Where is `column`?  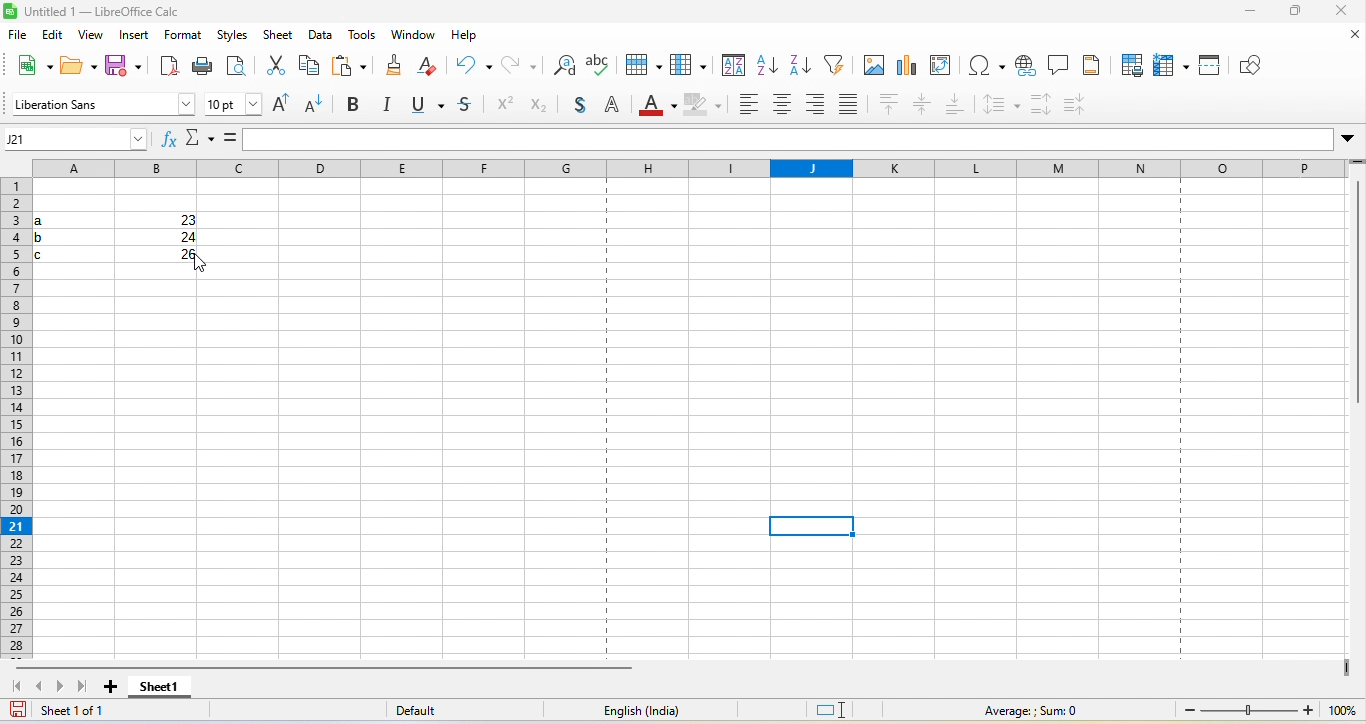
column is located at coordinates (687, 66).